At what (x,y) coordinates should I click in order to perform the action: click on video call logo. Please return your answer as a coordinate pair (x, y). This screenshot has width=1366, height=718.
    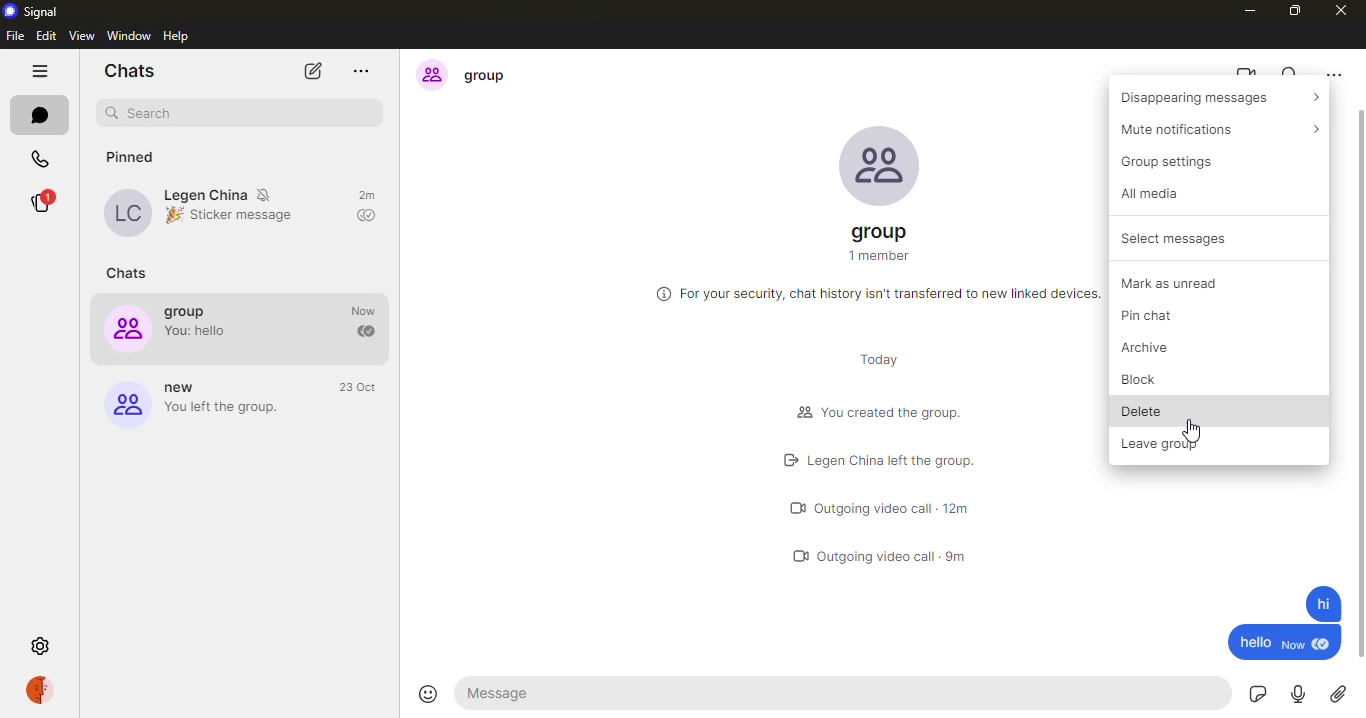
    Looking at the image, I should click on (797, 510).